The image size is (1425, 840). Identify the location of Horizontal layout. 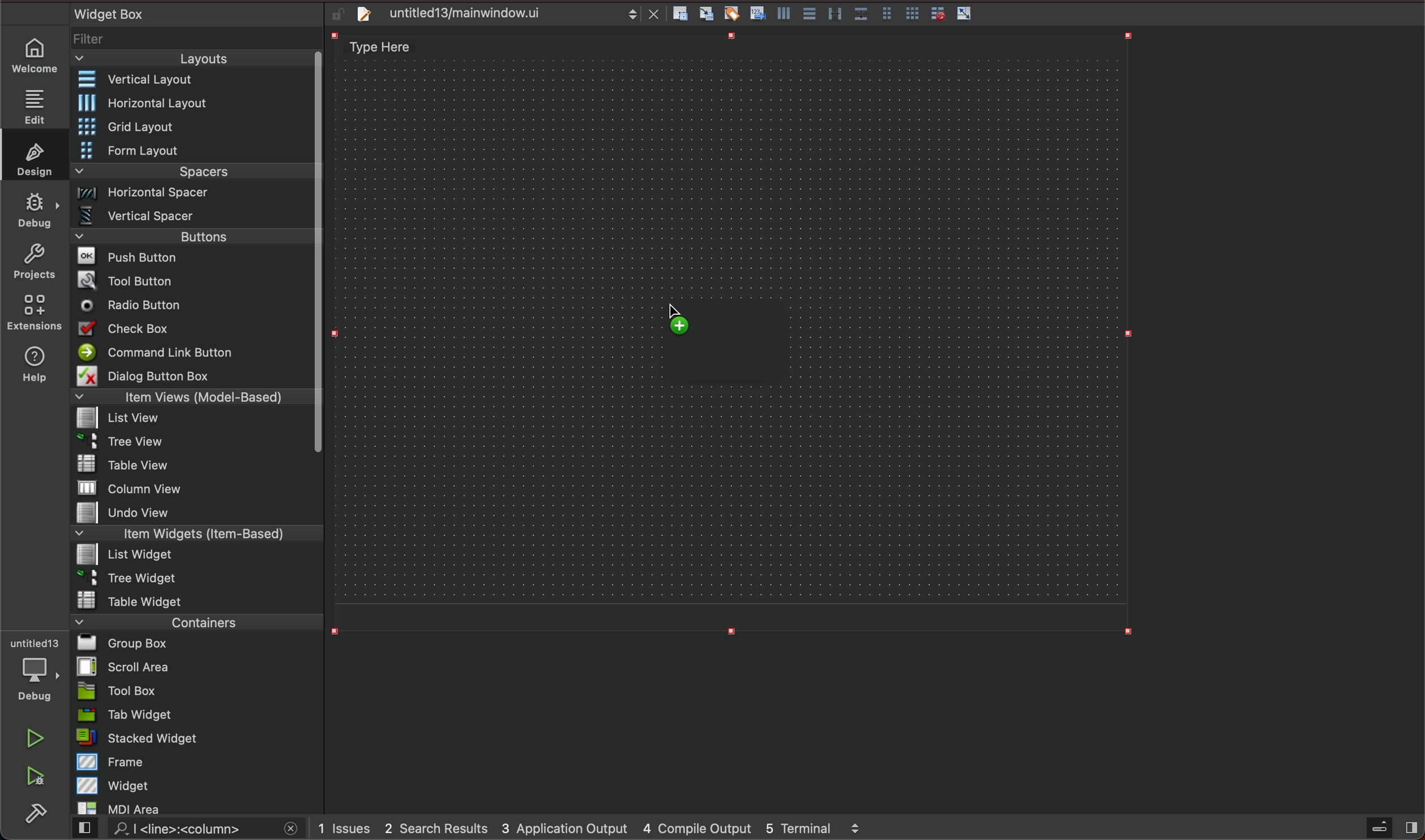
(194, 104).